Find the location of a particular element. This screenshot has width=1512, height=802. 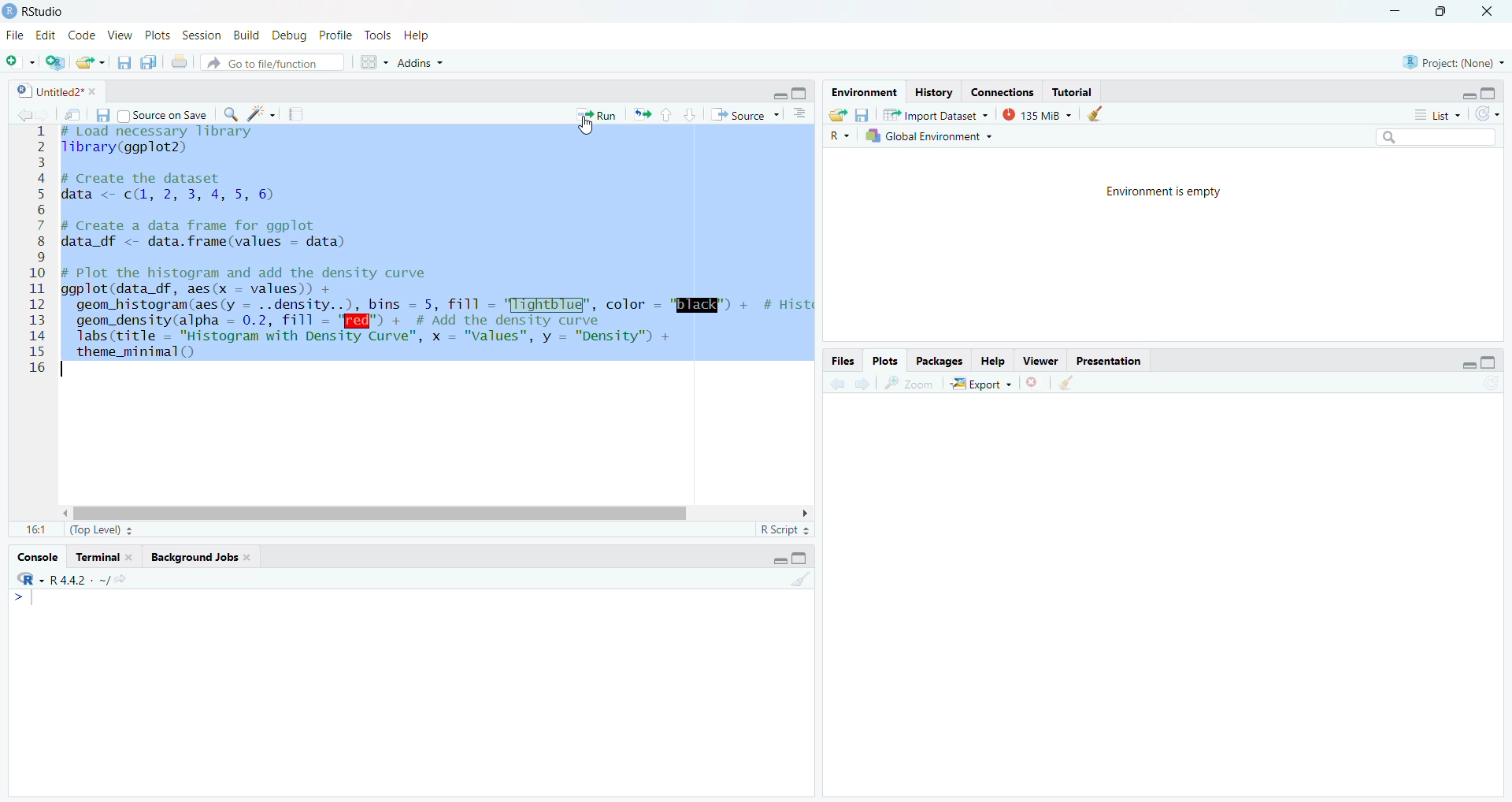

code tools is located at coordinates (261, 113).